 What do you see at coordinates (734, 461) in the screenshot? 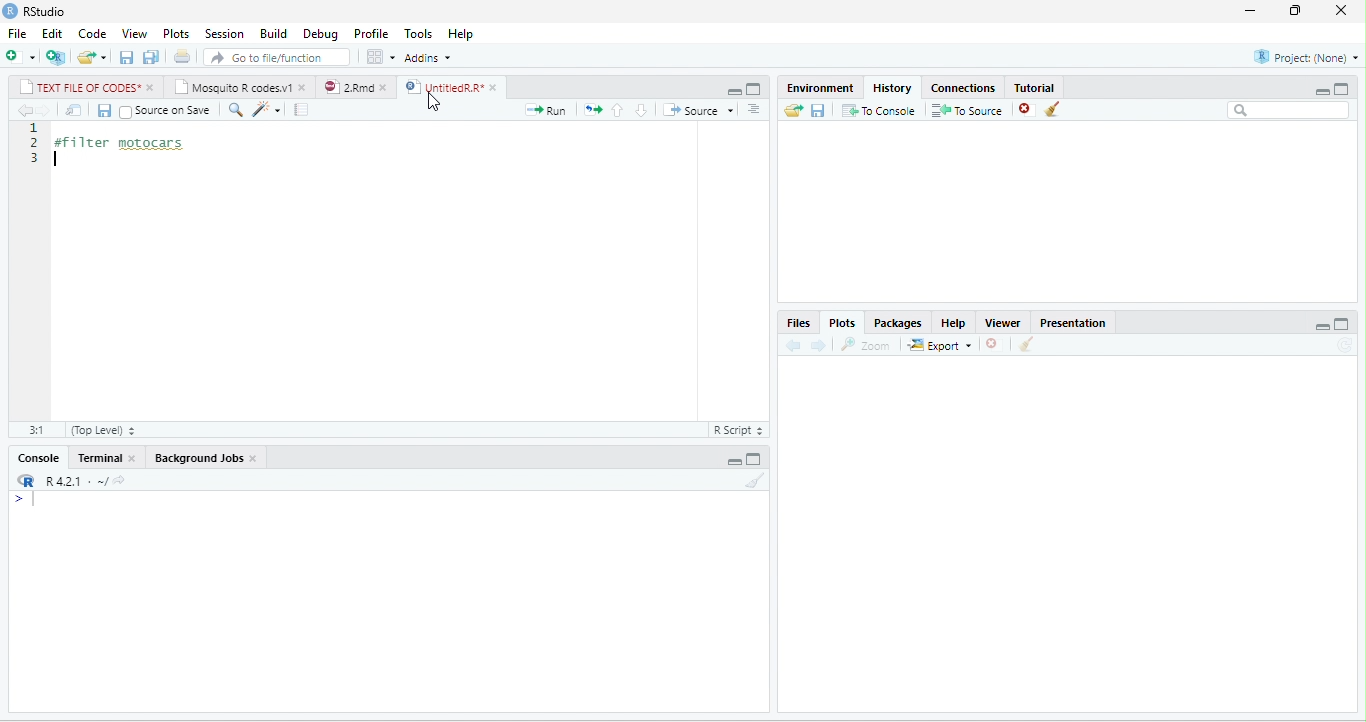
I see `minimize` at bounding box center [734, 461].